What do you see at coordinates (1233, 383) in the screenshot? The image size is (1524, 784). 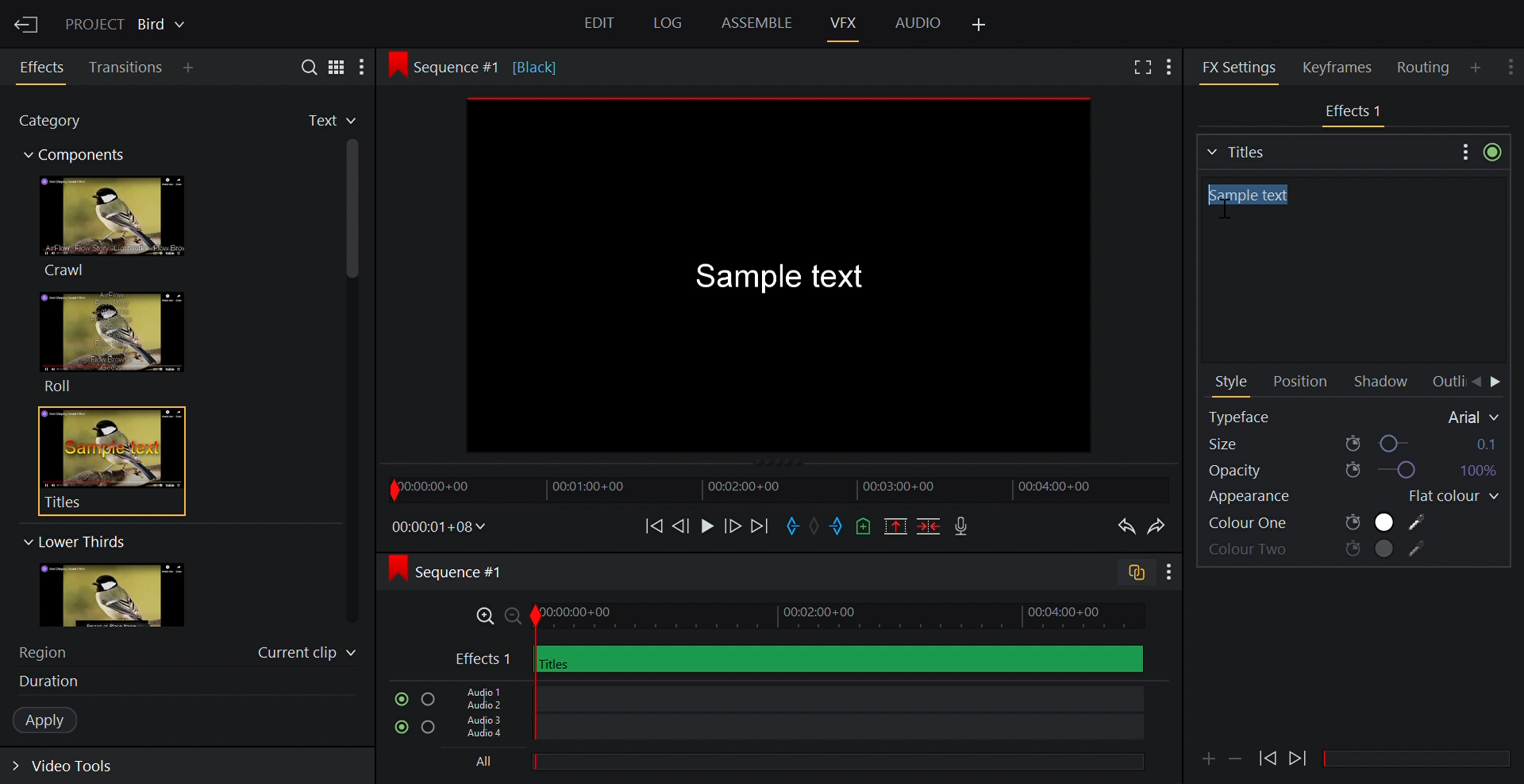 I see `Style` at bounding box center [1233, 383].